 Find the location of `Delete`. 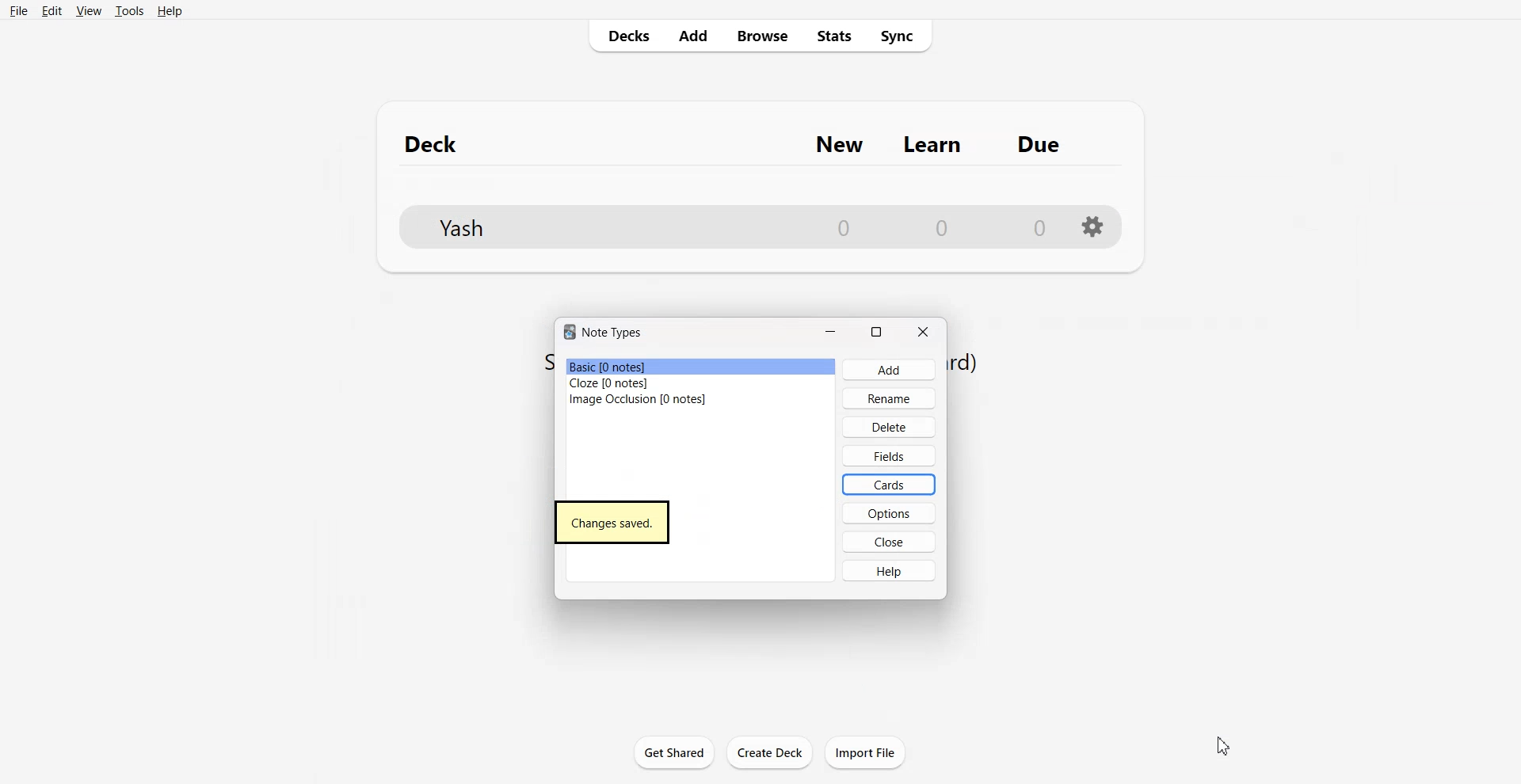

Delete is located at coordinates (886, 425).